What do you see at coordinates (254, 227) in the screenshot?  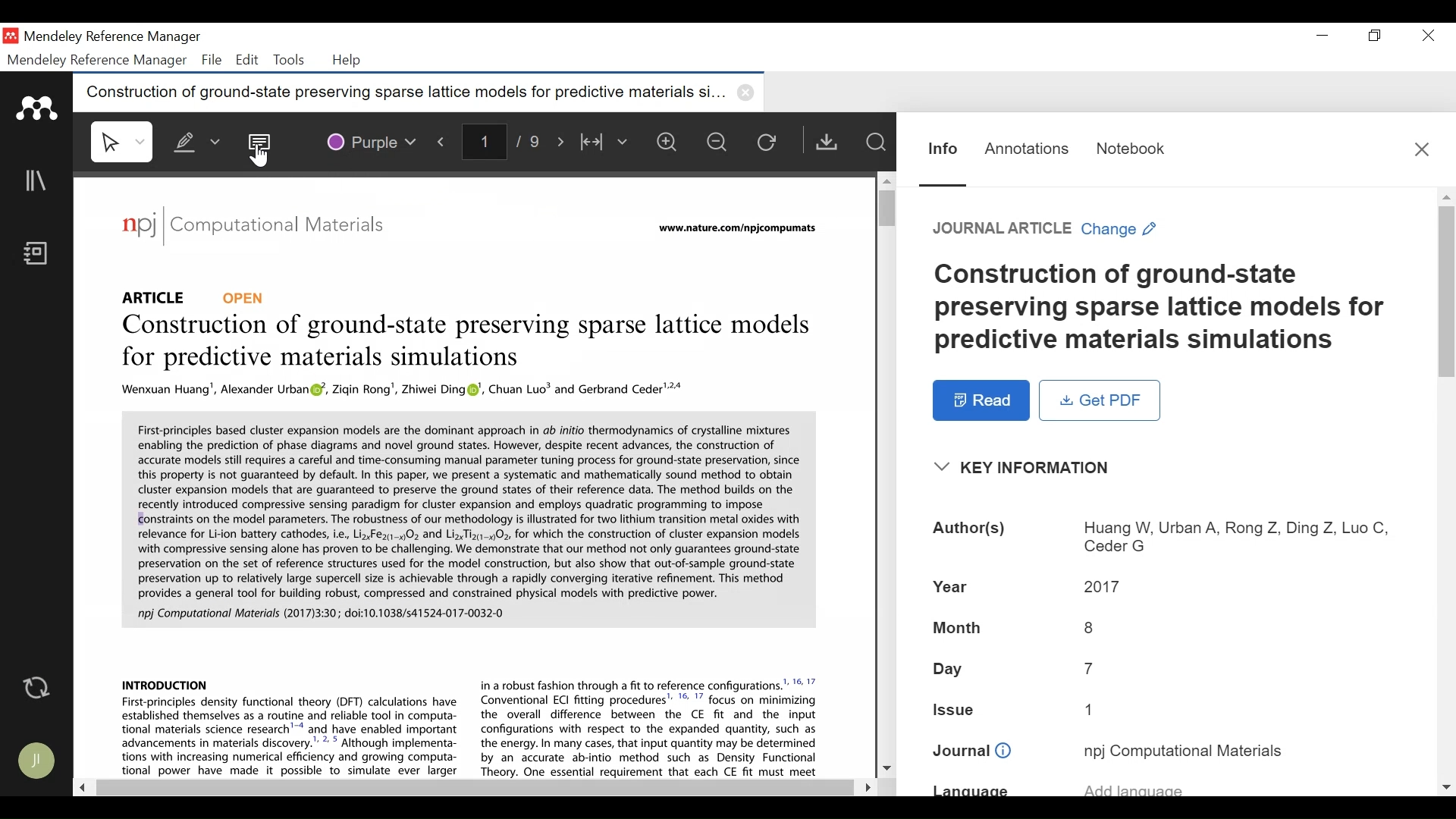 I see `Journal: Computational Materialas` at bounding box center [254, 227].